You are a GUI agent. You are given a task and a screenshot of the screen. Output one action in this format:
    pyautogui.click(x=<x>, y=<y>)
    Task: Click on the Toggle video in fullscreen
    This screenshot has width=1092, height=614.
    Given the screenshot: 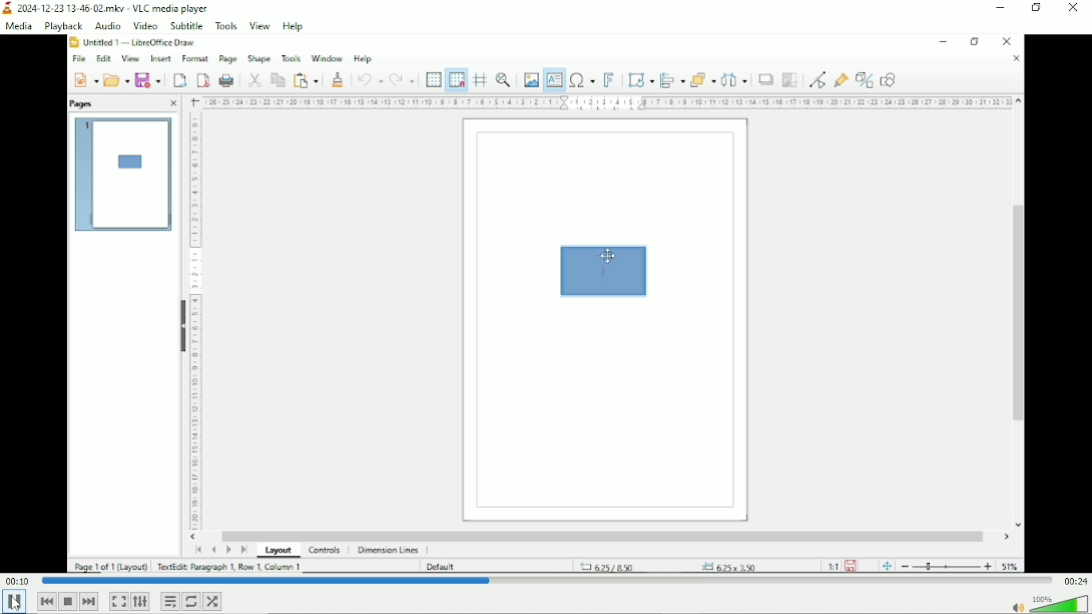 What is the action you would take?
    pyautogui.click(x=118, y=603)
    